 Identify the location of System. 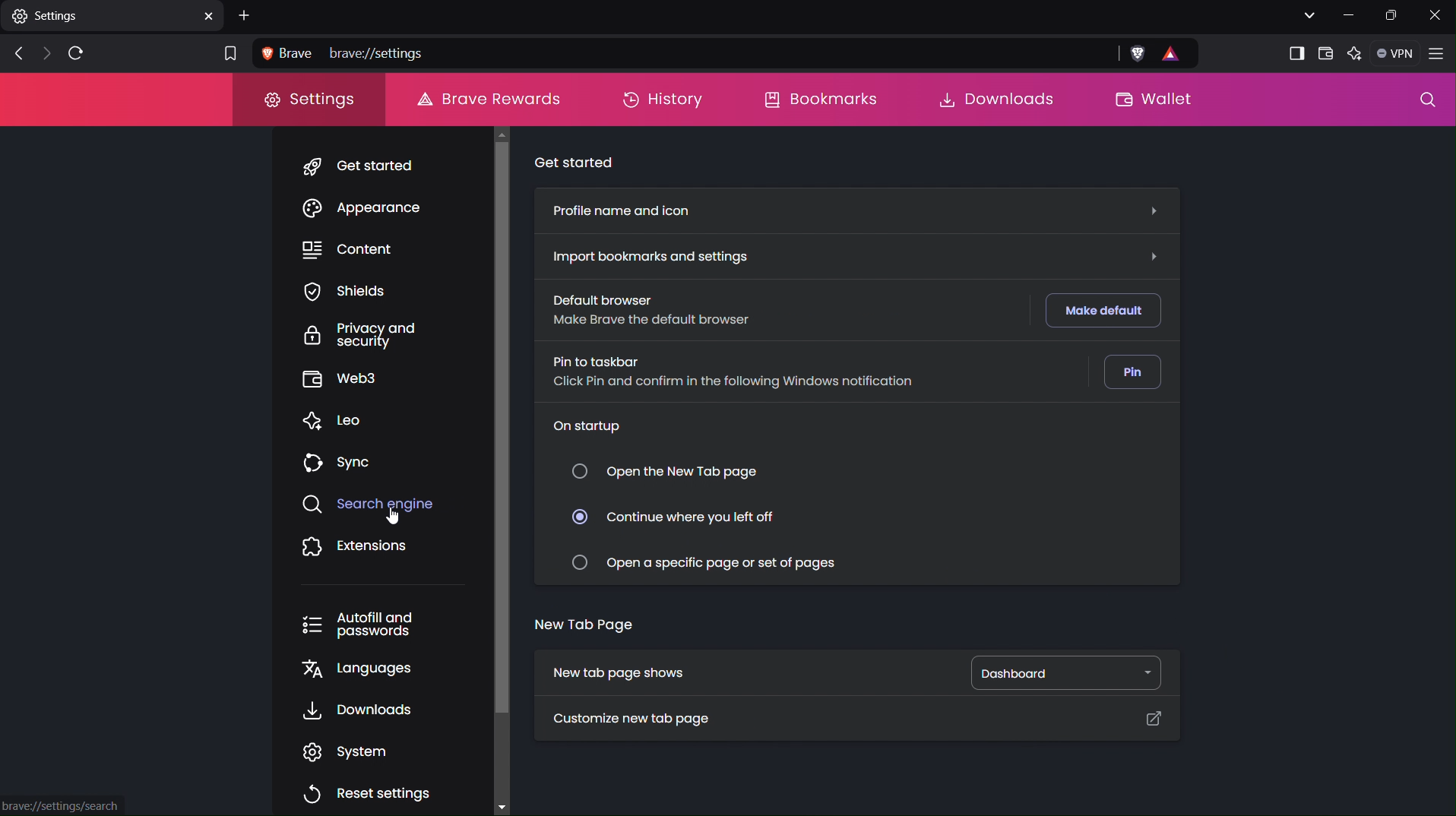
(356, 751).